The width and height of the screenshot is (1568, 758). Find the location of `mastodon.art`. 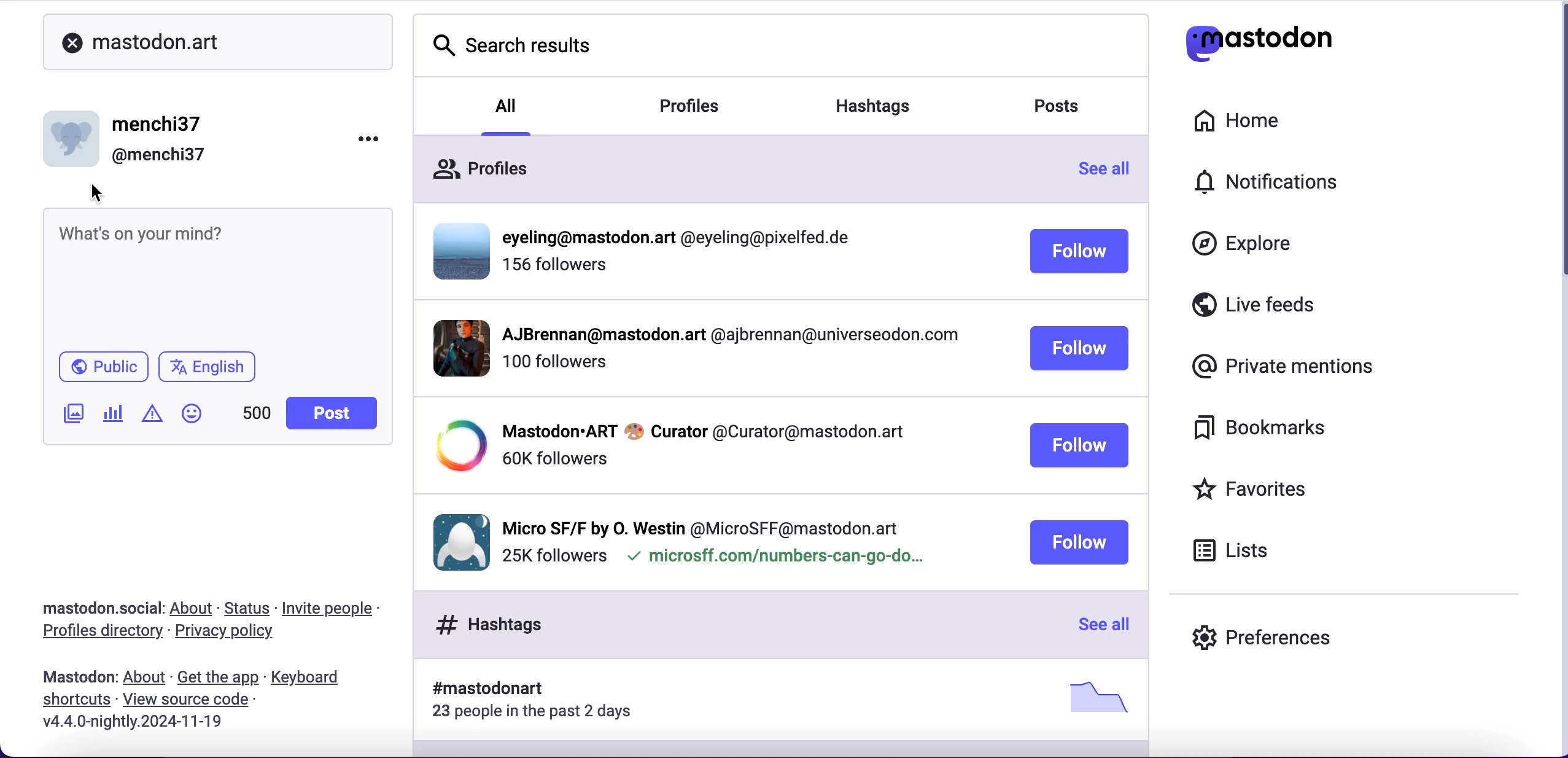

mastodon.art is located at coordinates (147, 42).